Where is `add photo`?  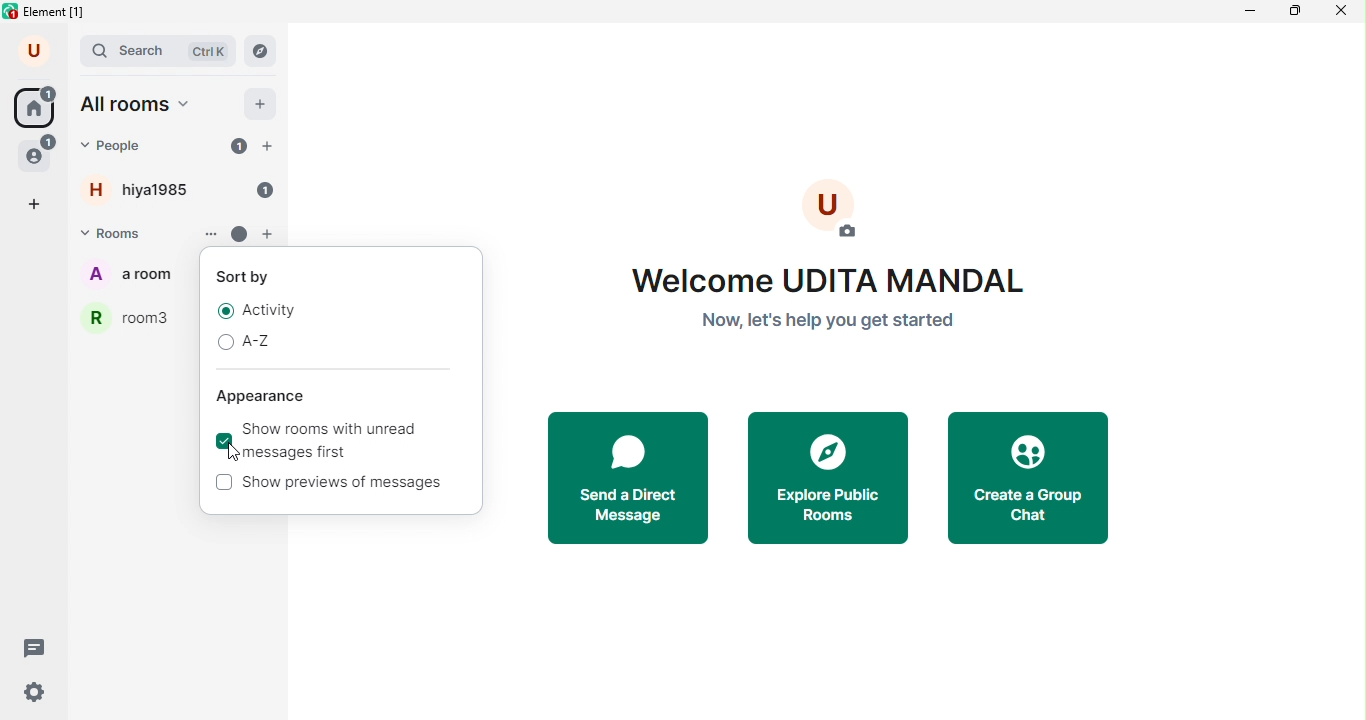
add photo is located at coordinates (837, 213).